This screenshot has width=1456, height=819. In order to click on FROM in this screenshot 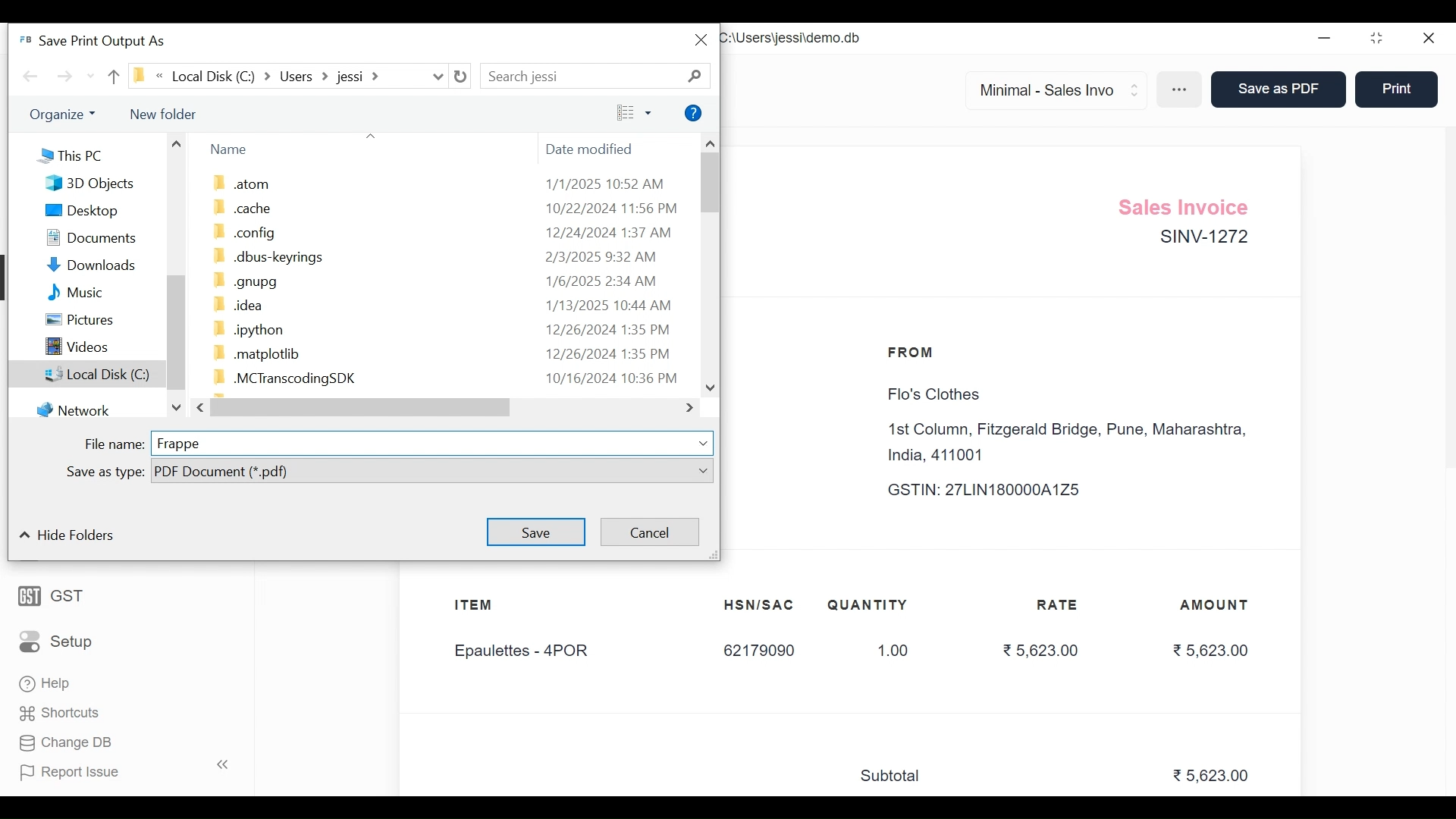, I will do `click(915, 353)`.